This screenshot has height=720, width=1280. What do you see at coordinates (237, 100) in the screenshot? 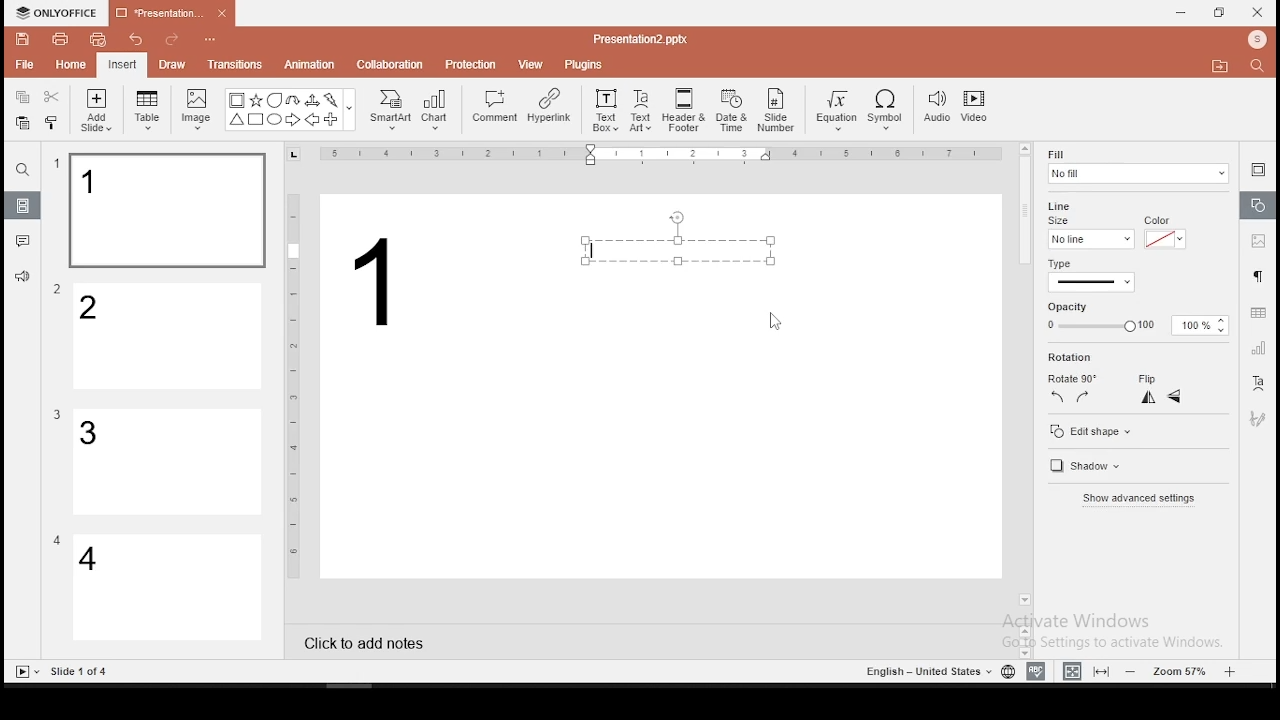
I see `Bordered Box` at bounding box center [237, 100].